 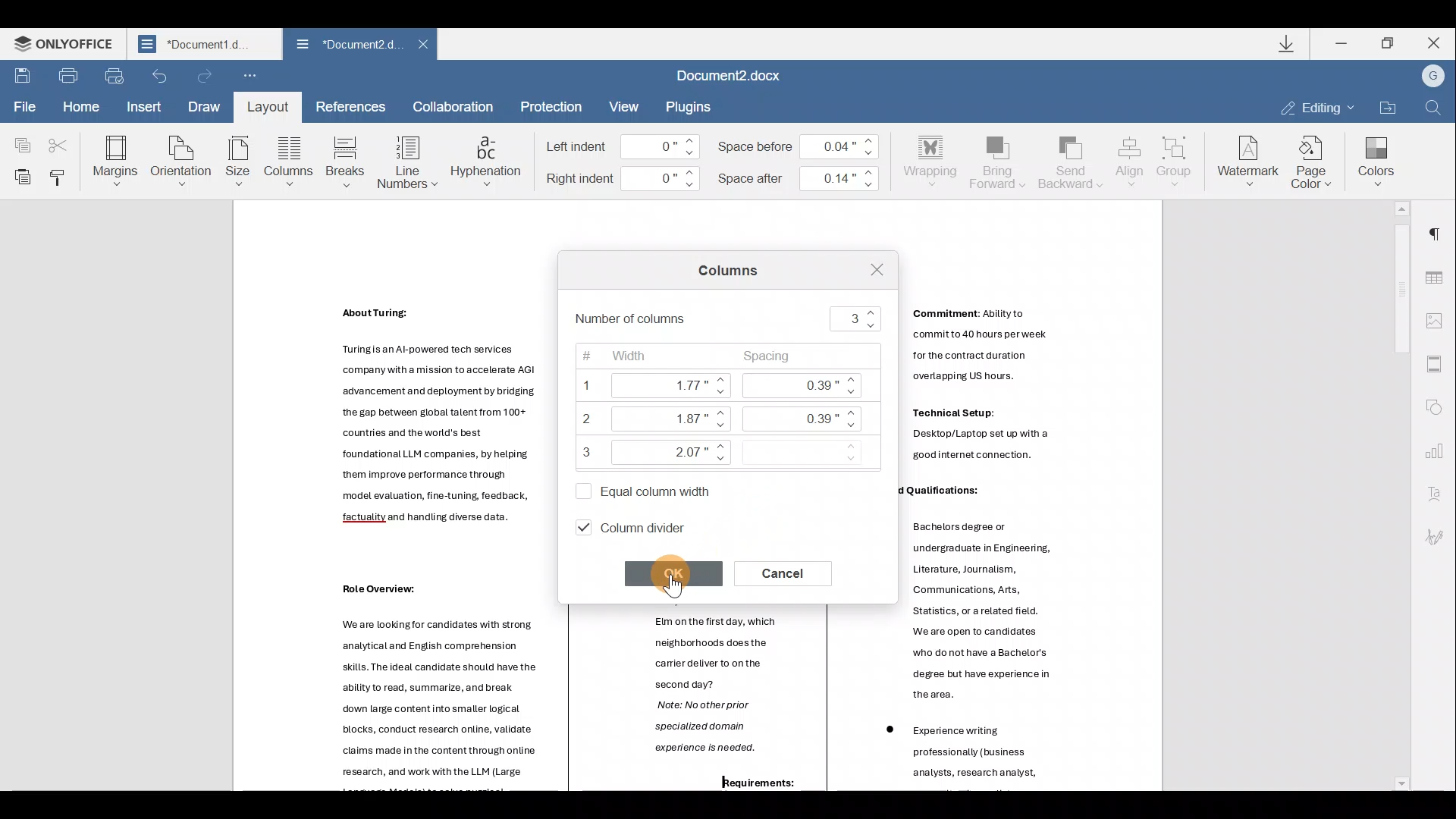 I want to click on Right indent, so click(x=623, y=179).